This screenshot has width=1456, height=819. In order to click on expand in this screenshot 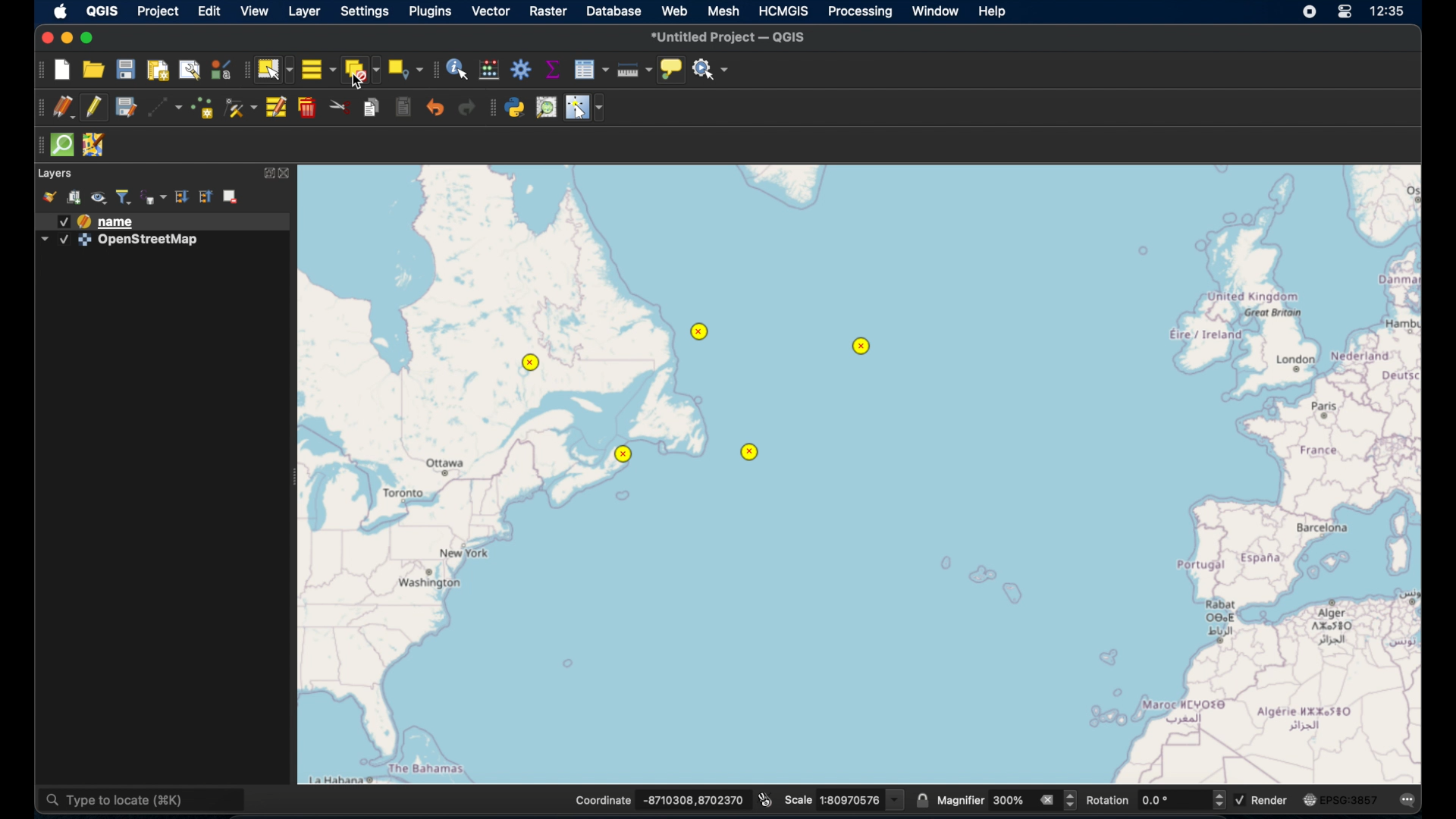, I will do `click(268, 174)`.